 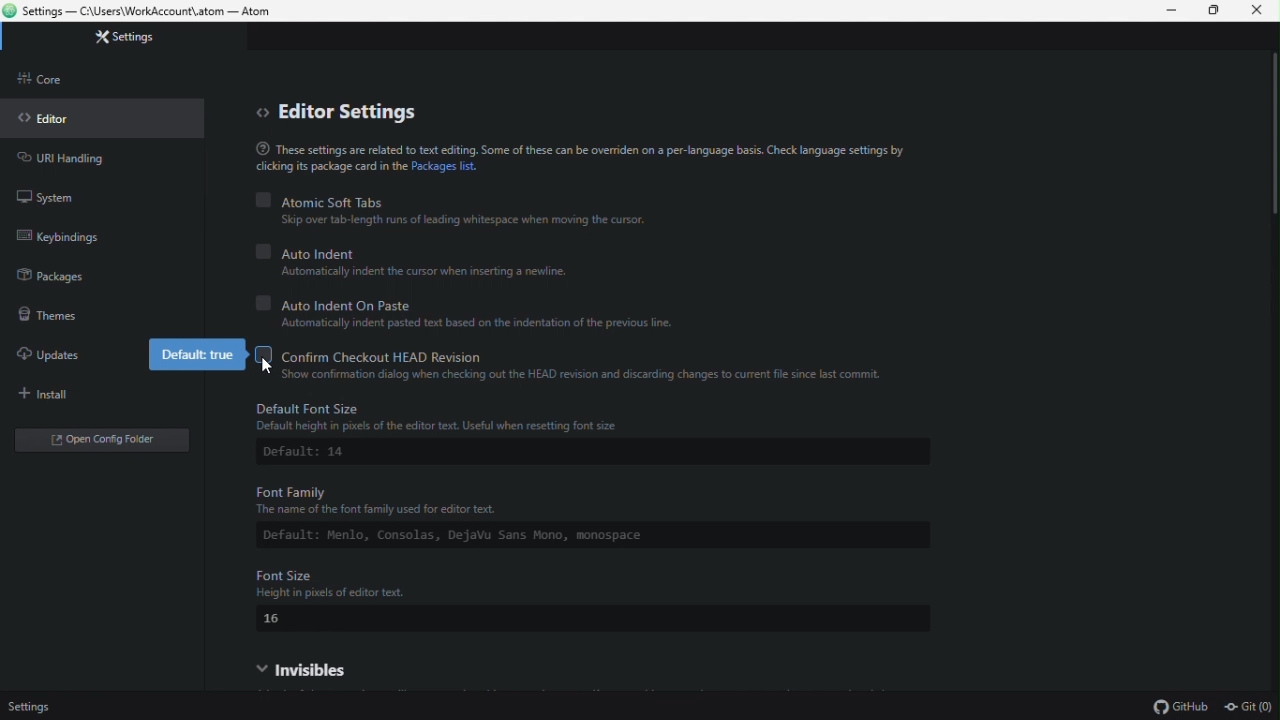 What do you see at coordinates (1181, 706) in the screenshot?
I see `github` at bounding box center [1181, 706].